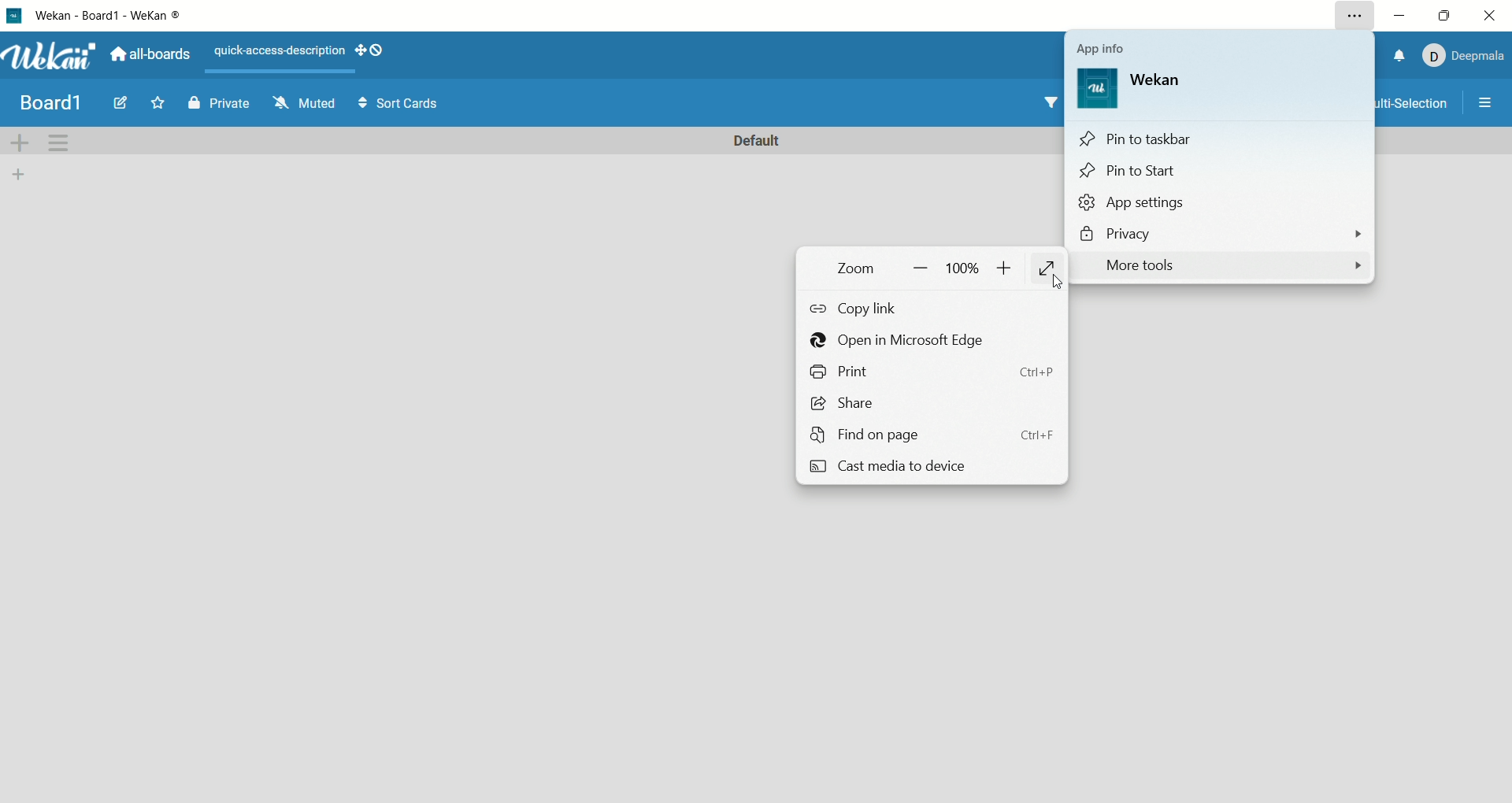 The width and height of the screenshot is (1512, 803). I want to click on account, so click(1462, 57).